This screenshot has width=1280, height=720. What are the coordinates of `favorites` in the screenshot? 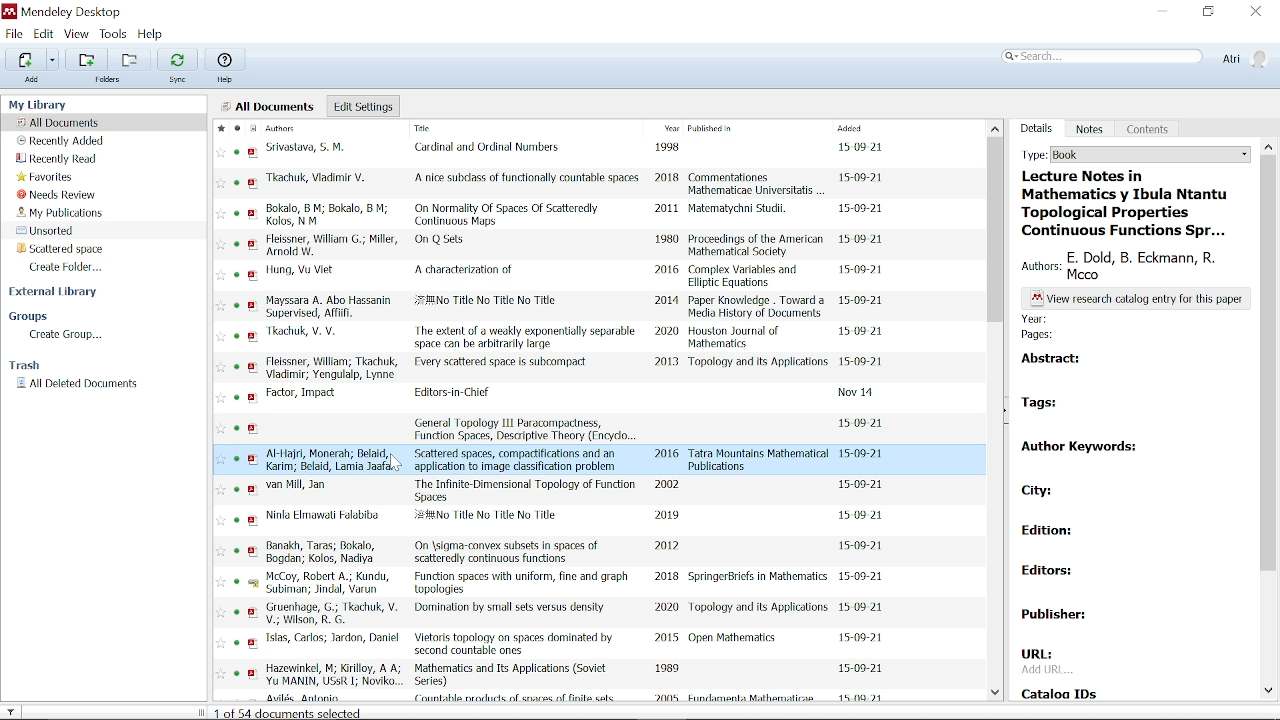 It's located at (46, 178).